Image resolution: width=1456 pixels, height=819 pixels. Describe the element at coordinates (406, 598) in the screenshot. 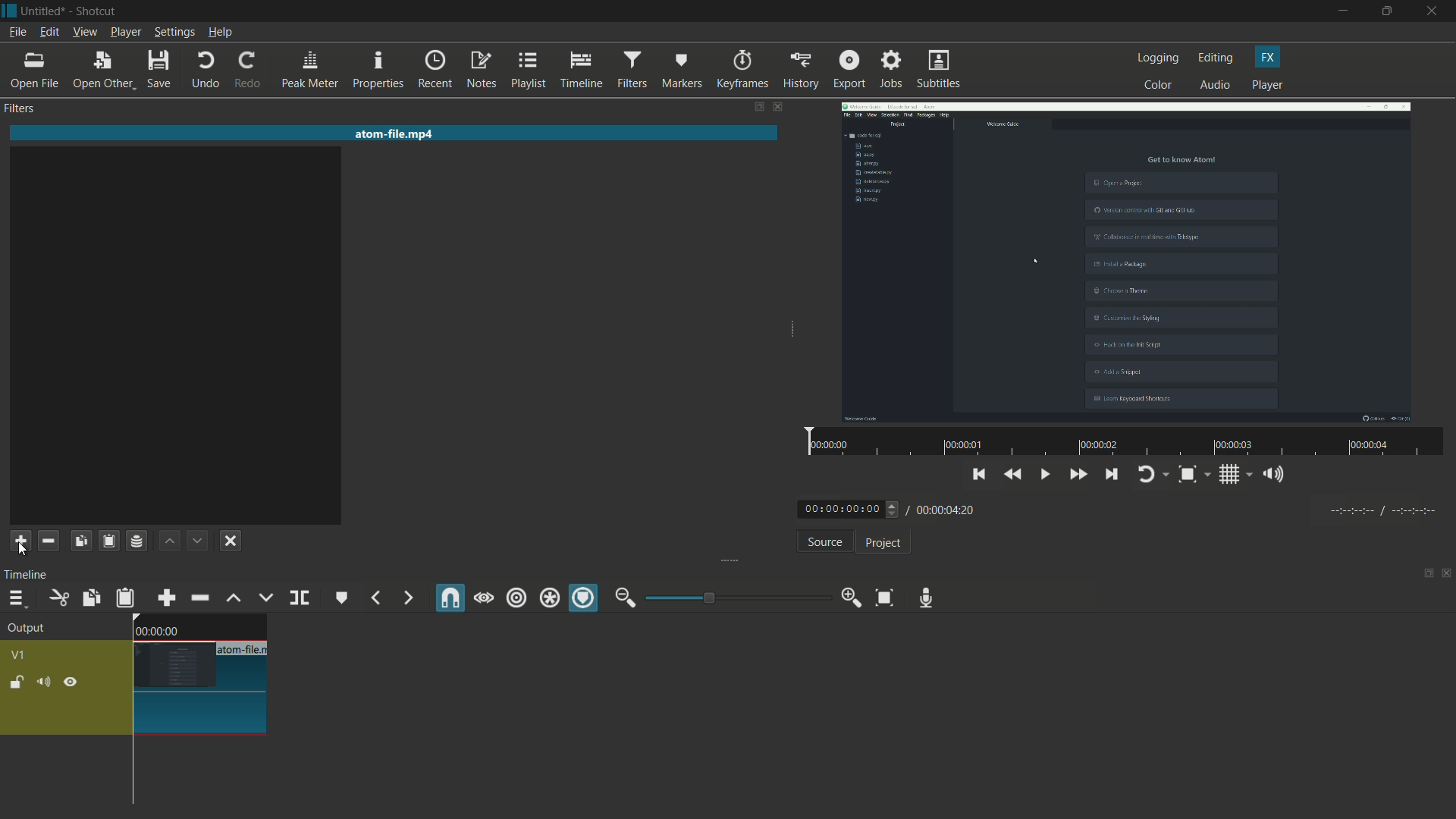

I see `next marker` at that location.